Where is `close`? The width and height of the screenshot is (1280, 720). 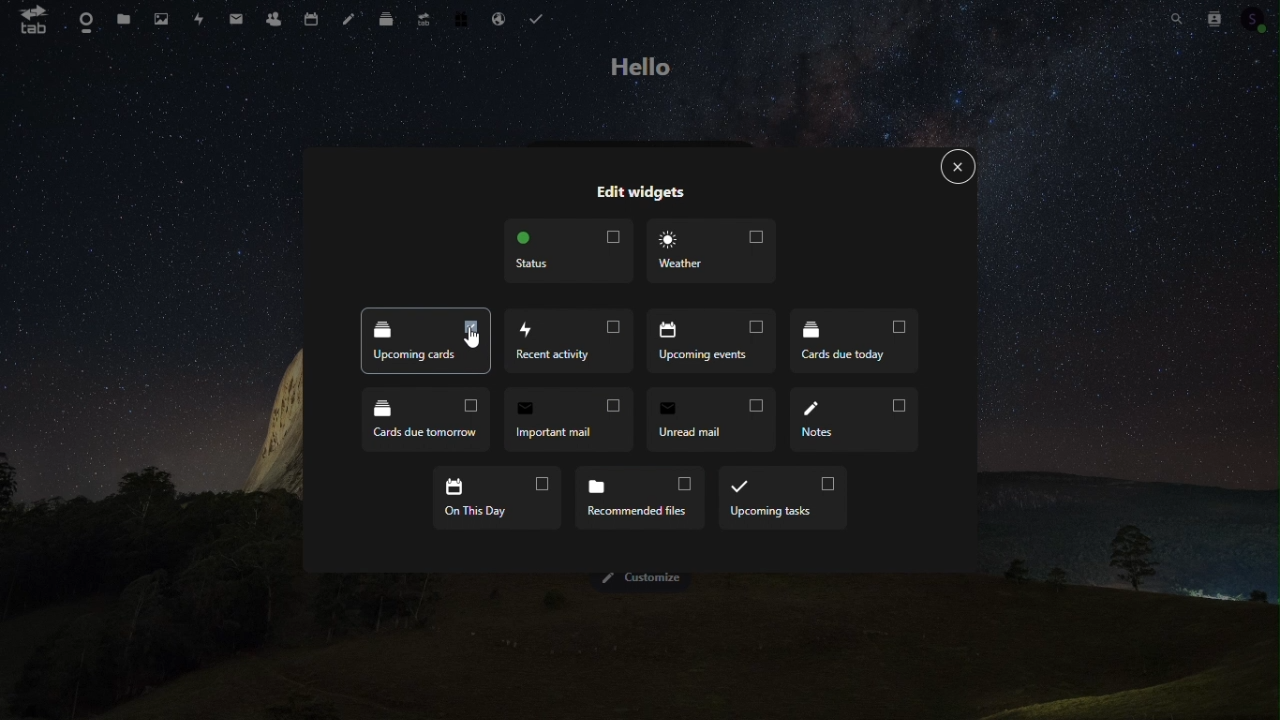
close is located at coordinates (958, 168).